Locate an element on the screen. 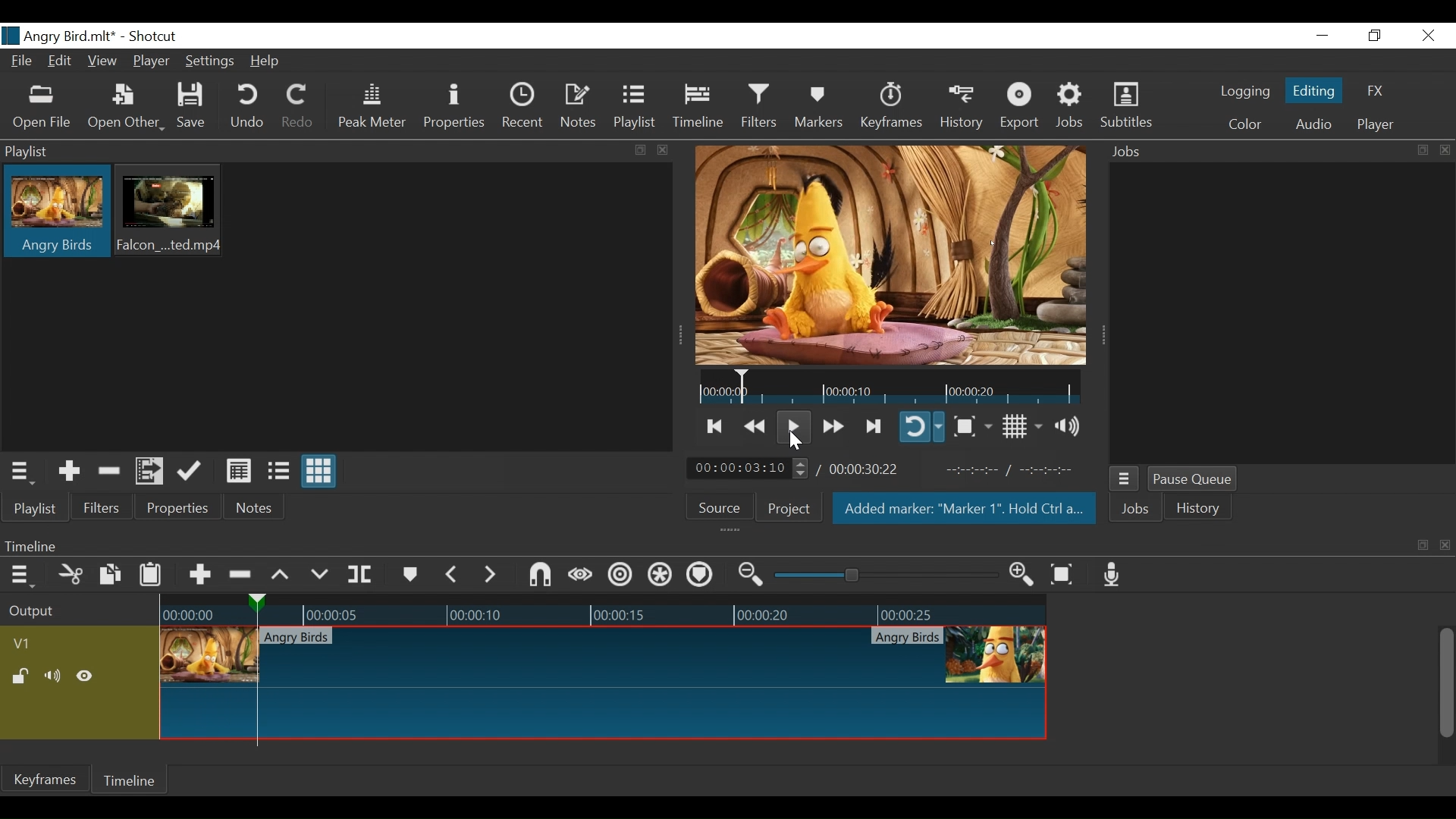  Toggle Zoom is located at coordinates (972, 426).